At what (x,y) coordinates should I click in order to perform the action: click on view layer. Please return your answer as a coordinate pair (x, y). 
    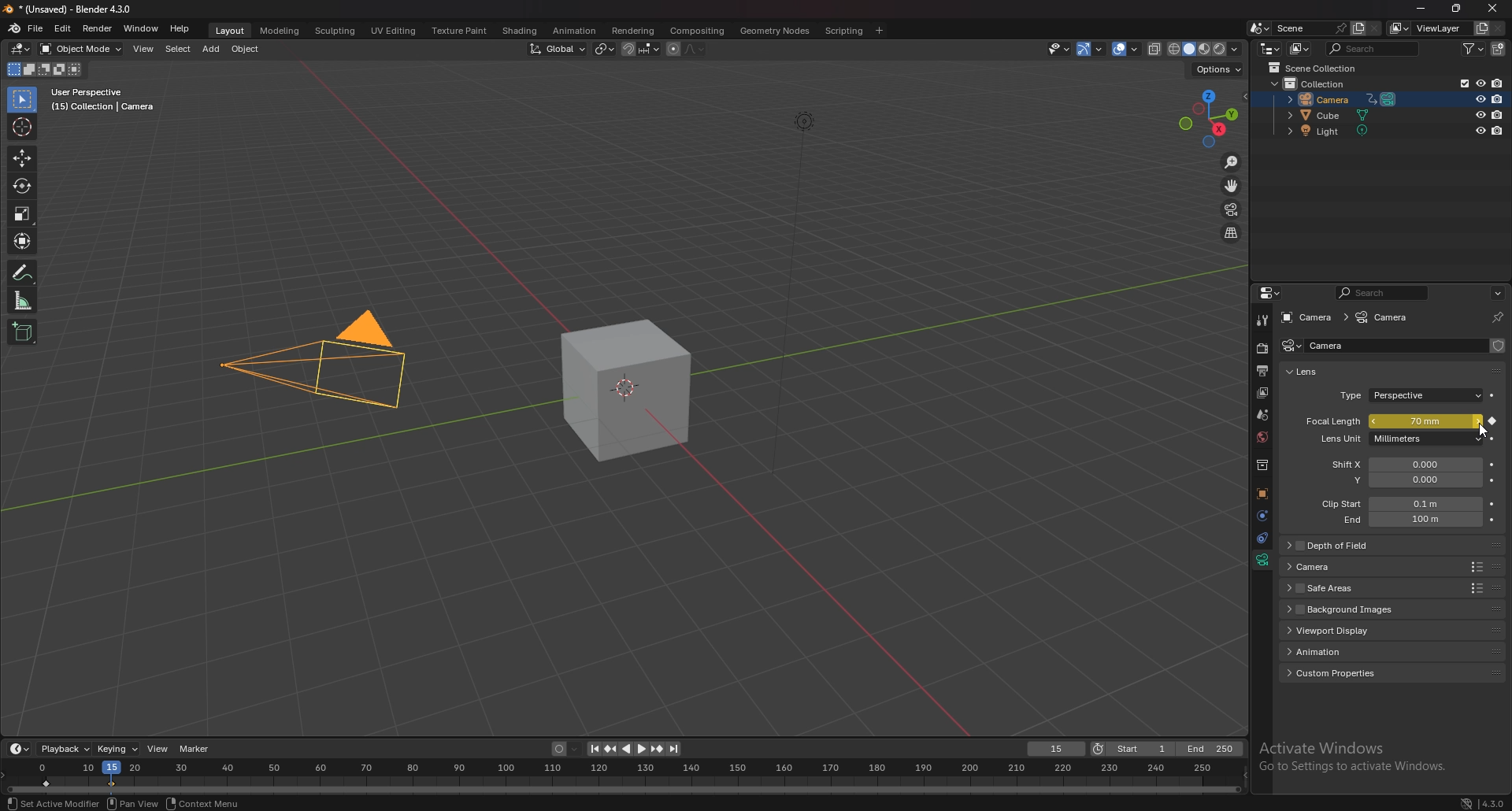
    Looking at the image, I should click on (1430, 28).